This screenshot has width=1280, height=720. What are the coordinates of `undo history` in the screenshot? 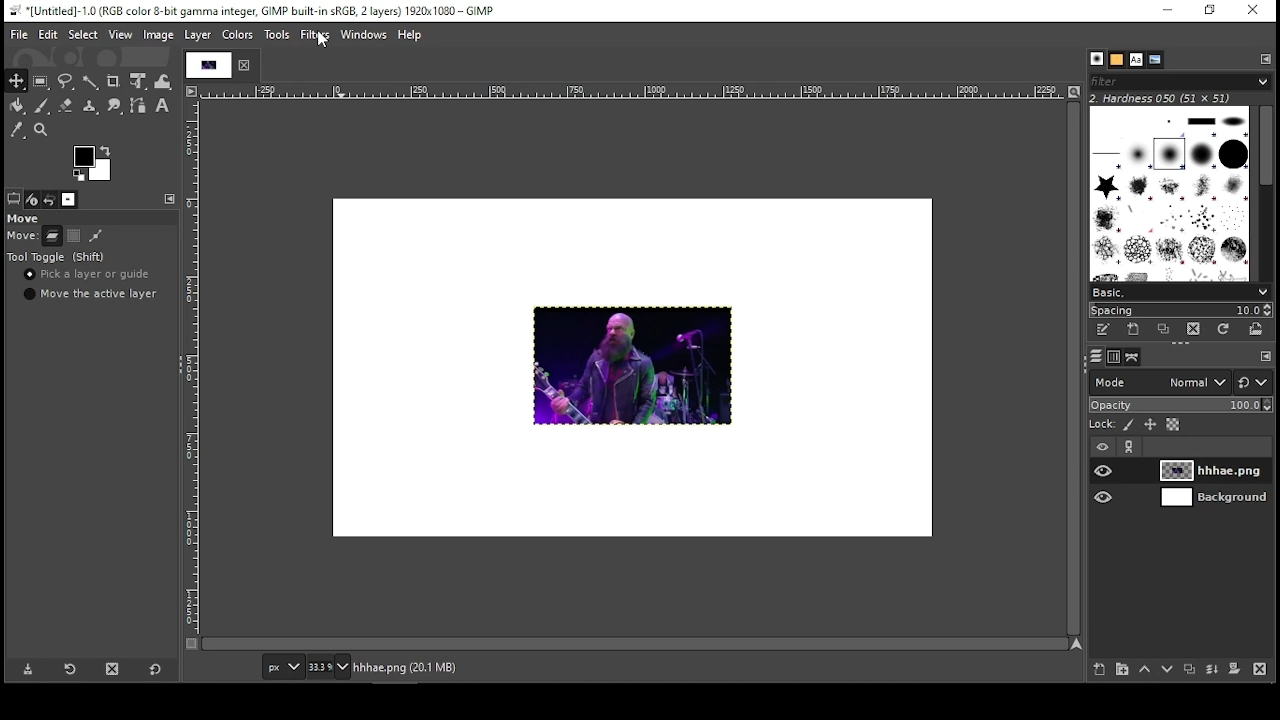 It's located at (48, 199).